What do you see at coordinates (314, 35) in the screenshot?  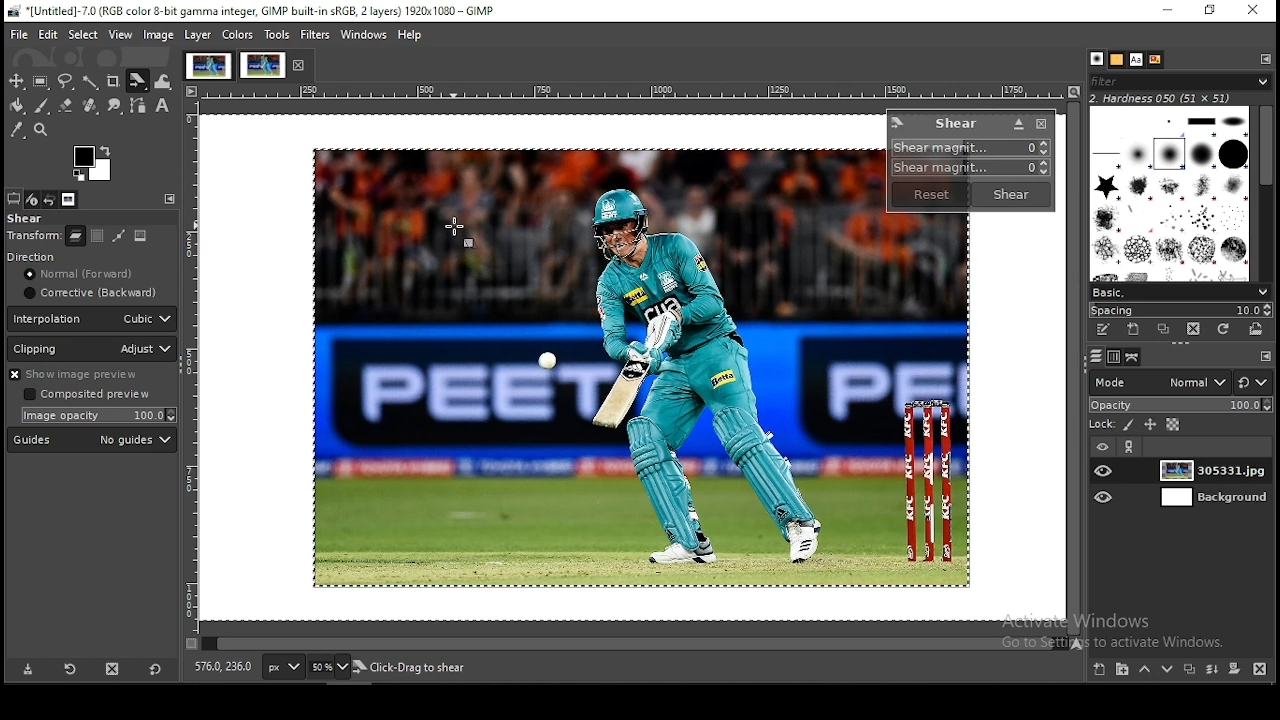 I see `filters` at bounding box center [314, 35].